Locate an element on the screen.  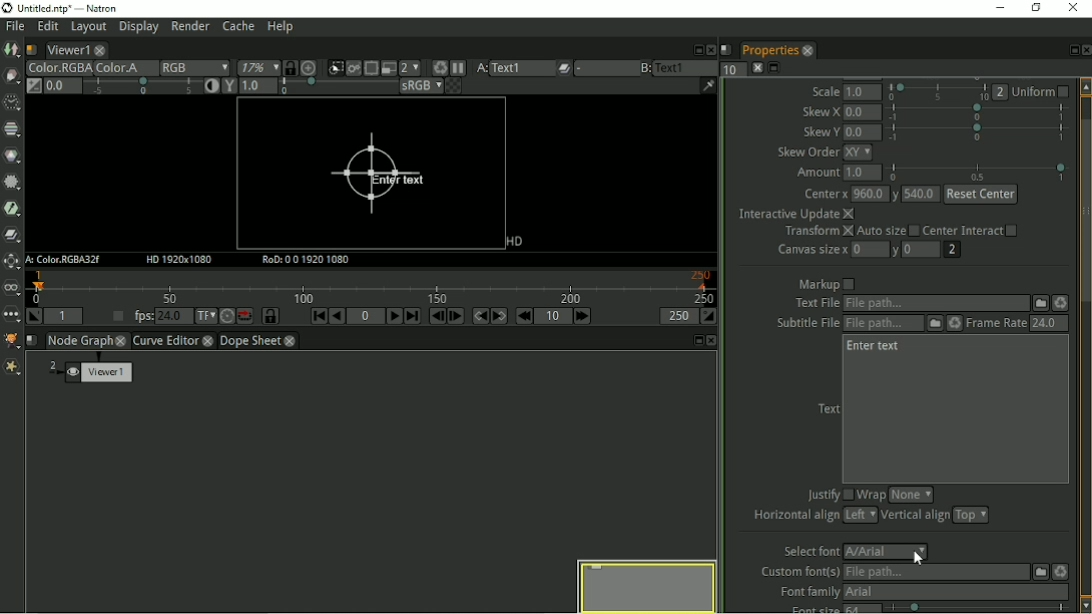
arial is located at coordinates (888, 552).